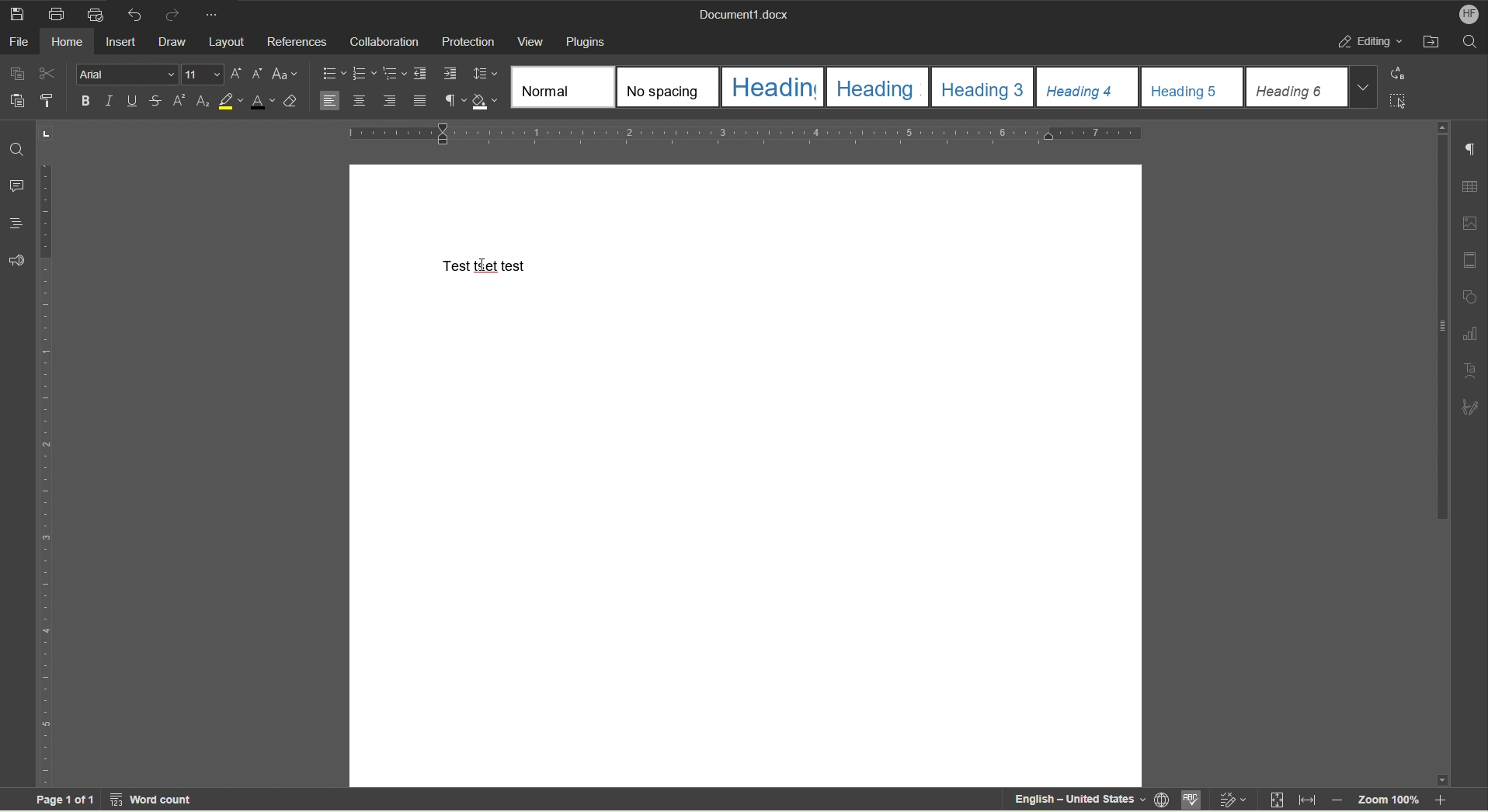  I want to click on Track Changes, so click(1239, 800).